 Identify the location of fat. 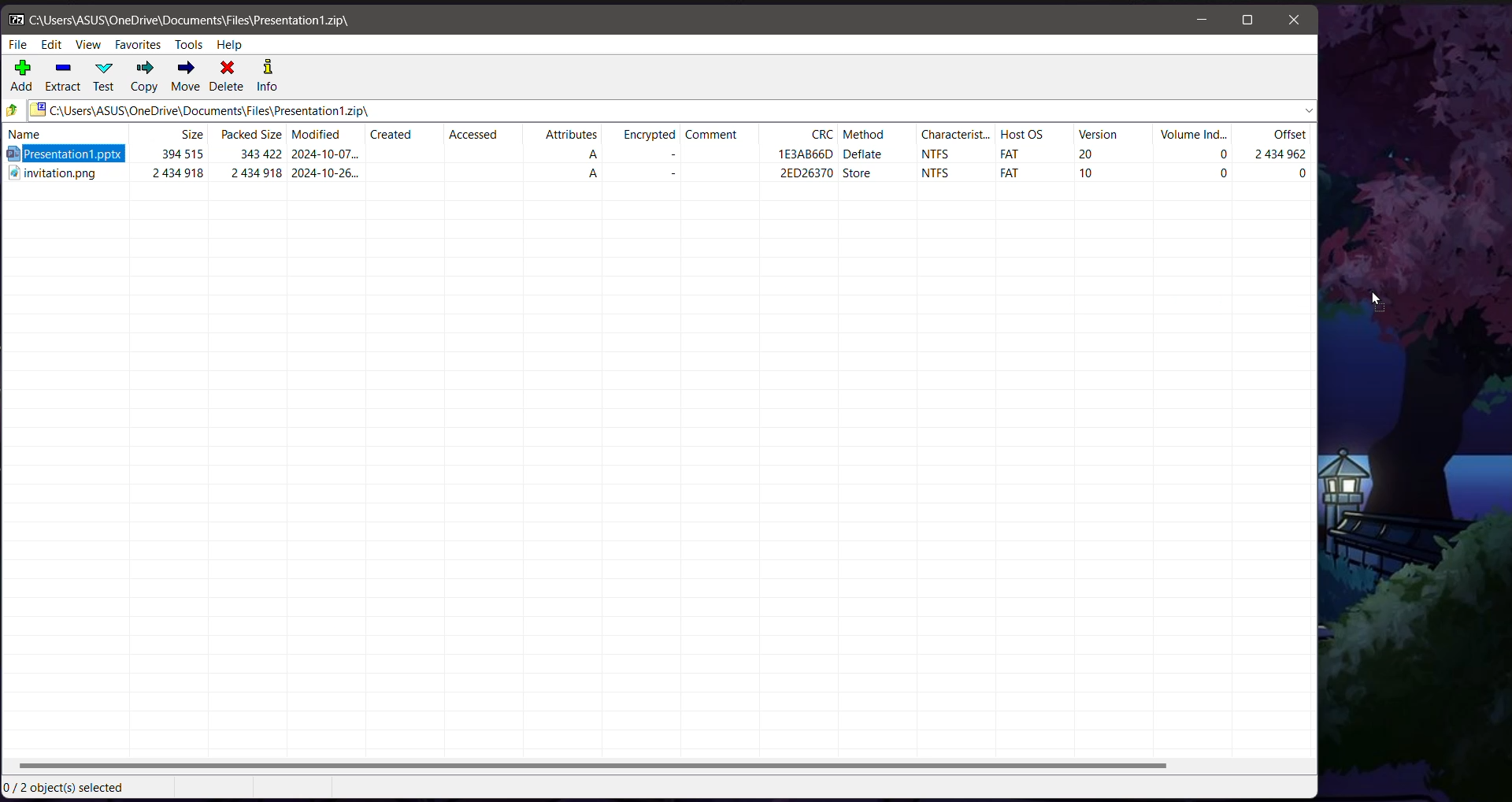
(1009, 153).